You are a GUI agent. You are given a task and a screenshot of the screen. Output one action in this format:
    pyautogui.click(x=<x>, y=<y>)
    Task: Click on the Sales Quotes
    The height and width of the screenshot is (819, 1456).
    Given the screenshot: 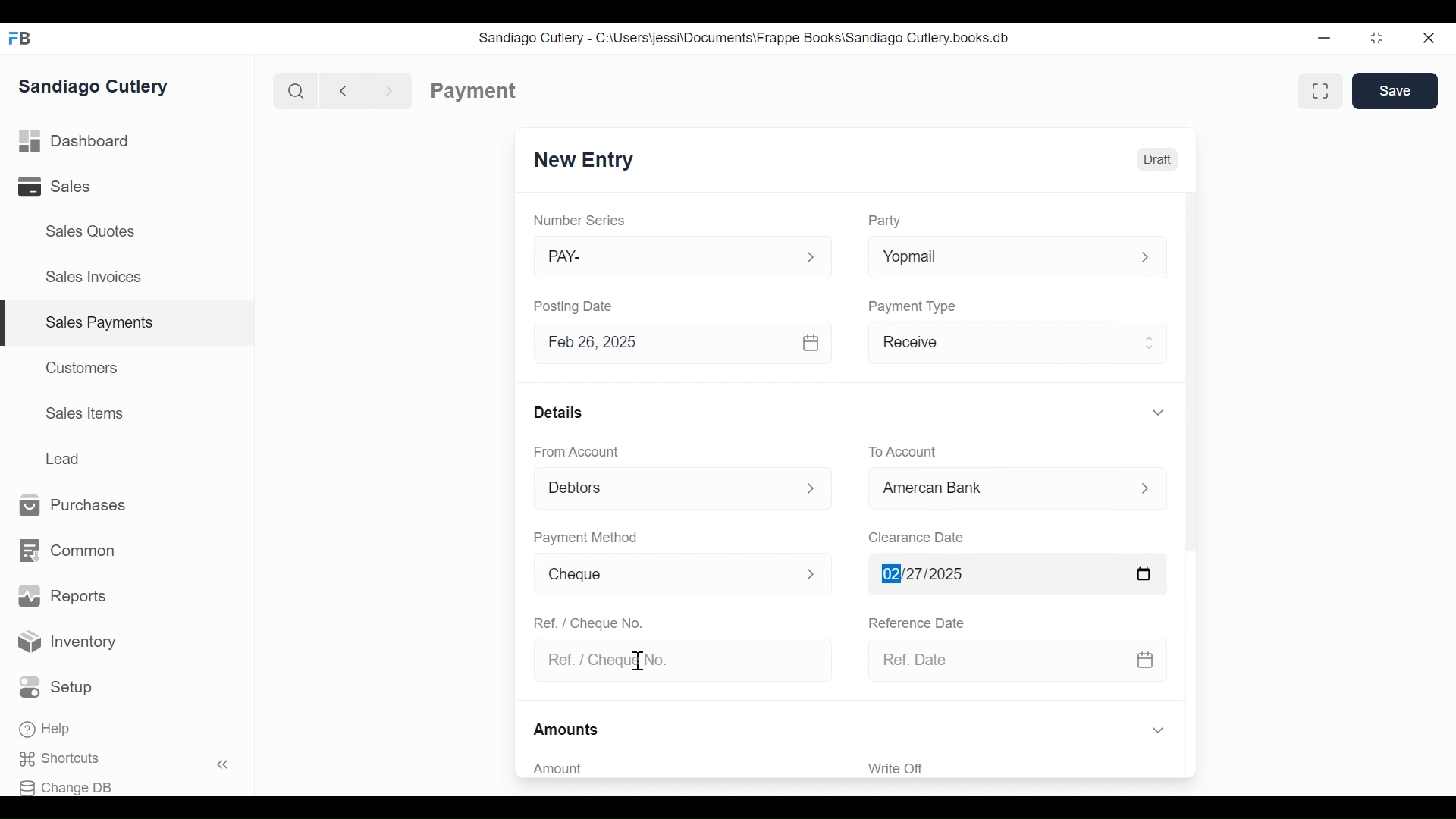 What is the action you would take?
    pyautogui.click(x=89, y=231)
    